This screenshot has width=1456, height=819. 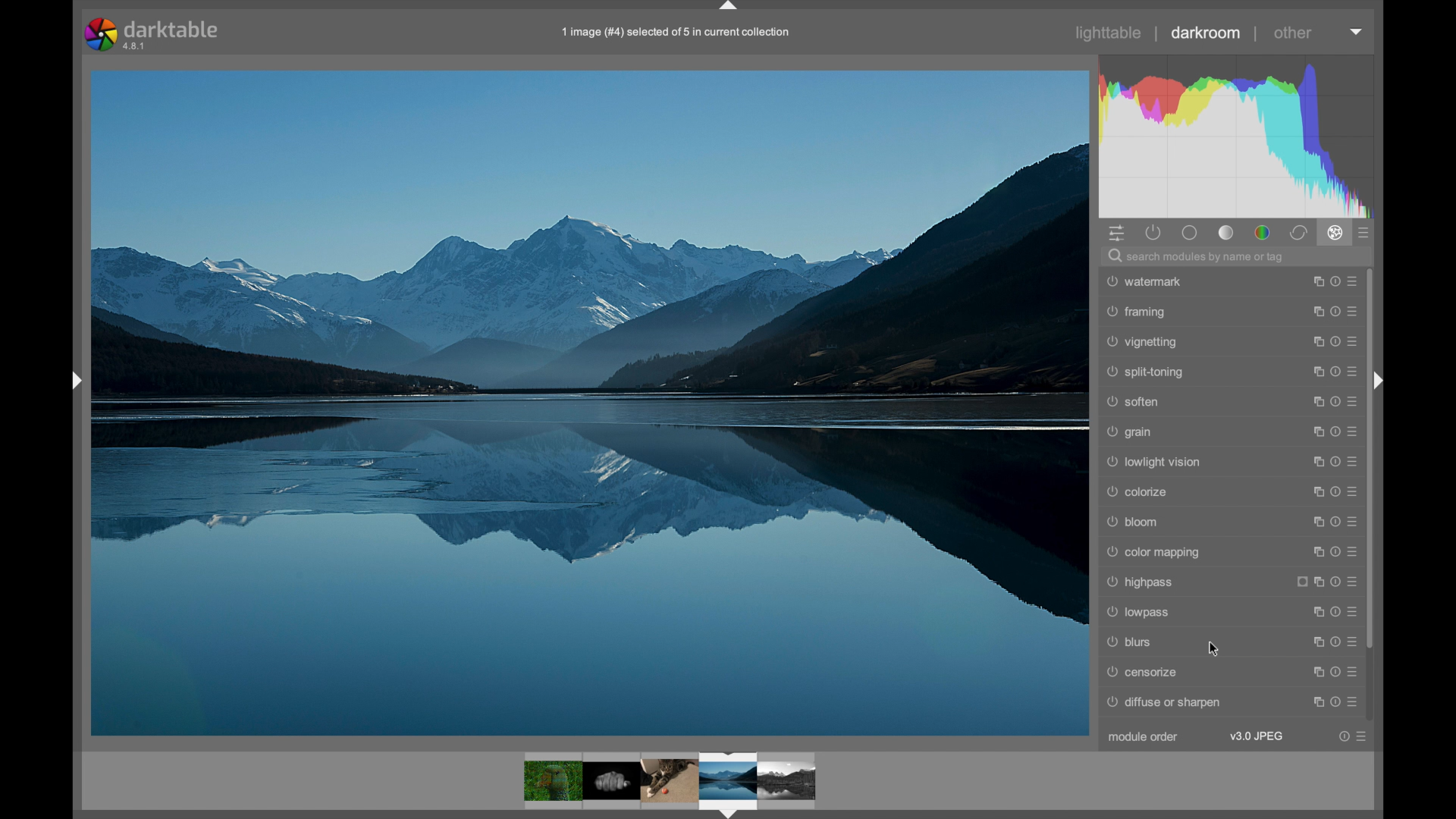 I want to click on more options, so click(x=1352, y=402).